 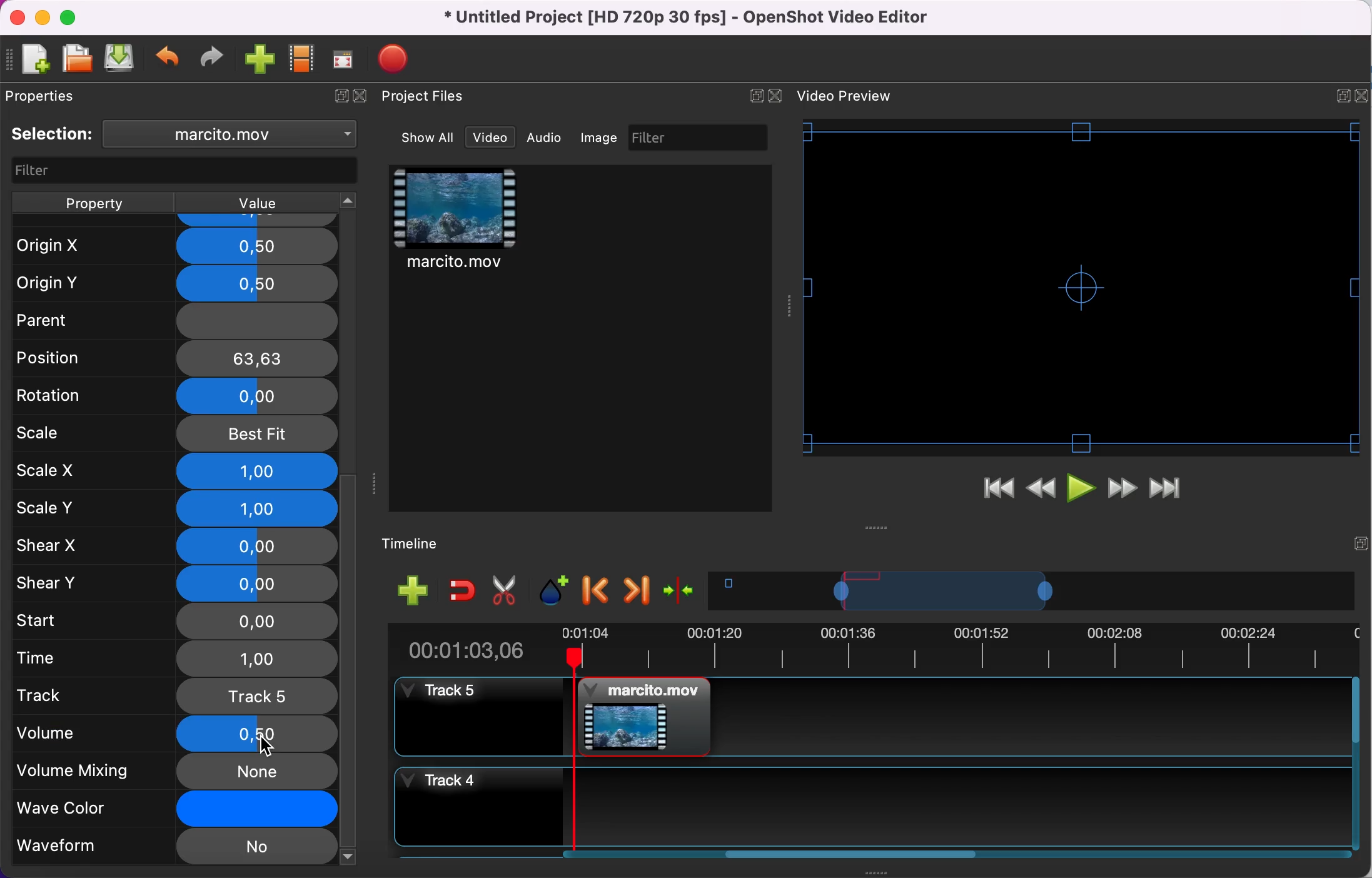 I want to click on Expand/Collapse, so click(x=756, y=96).